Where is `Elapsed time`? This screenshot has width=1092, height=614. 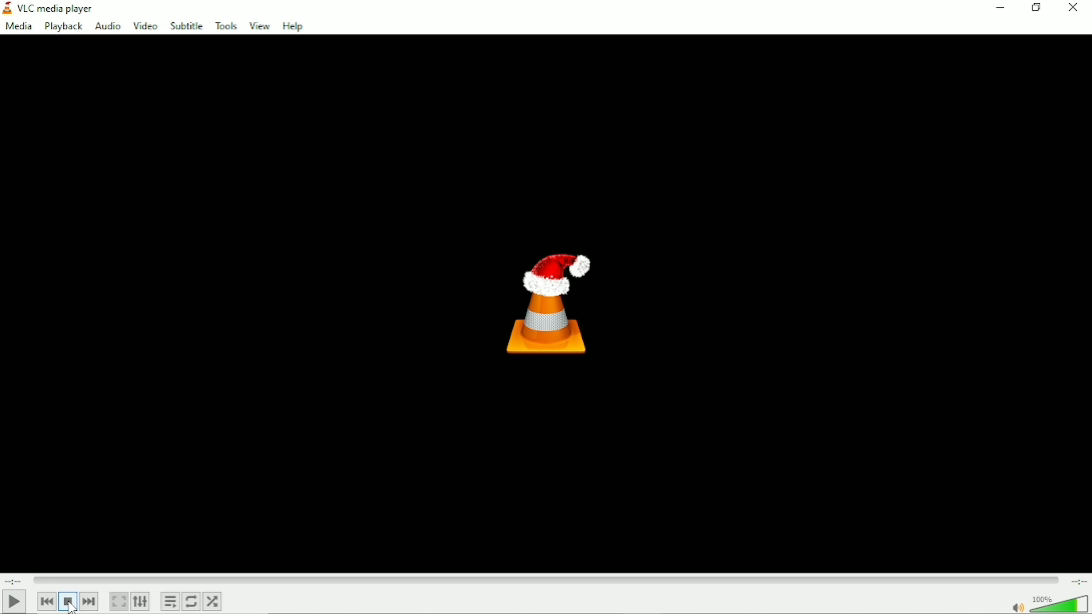
Elapsed time is located at coordinates (14, 580).